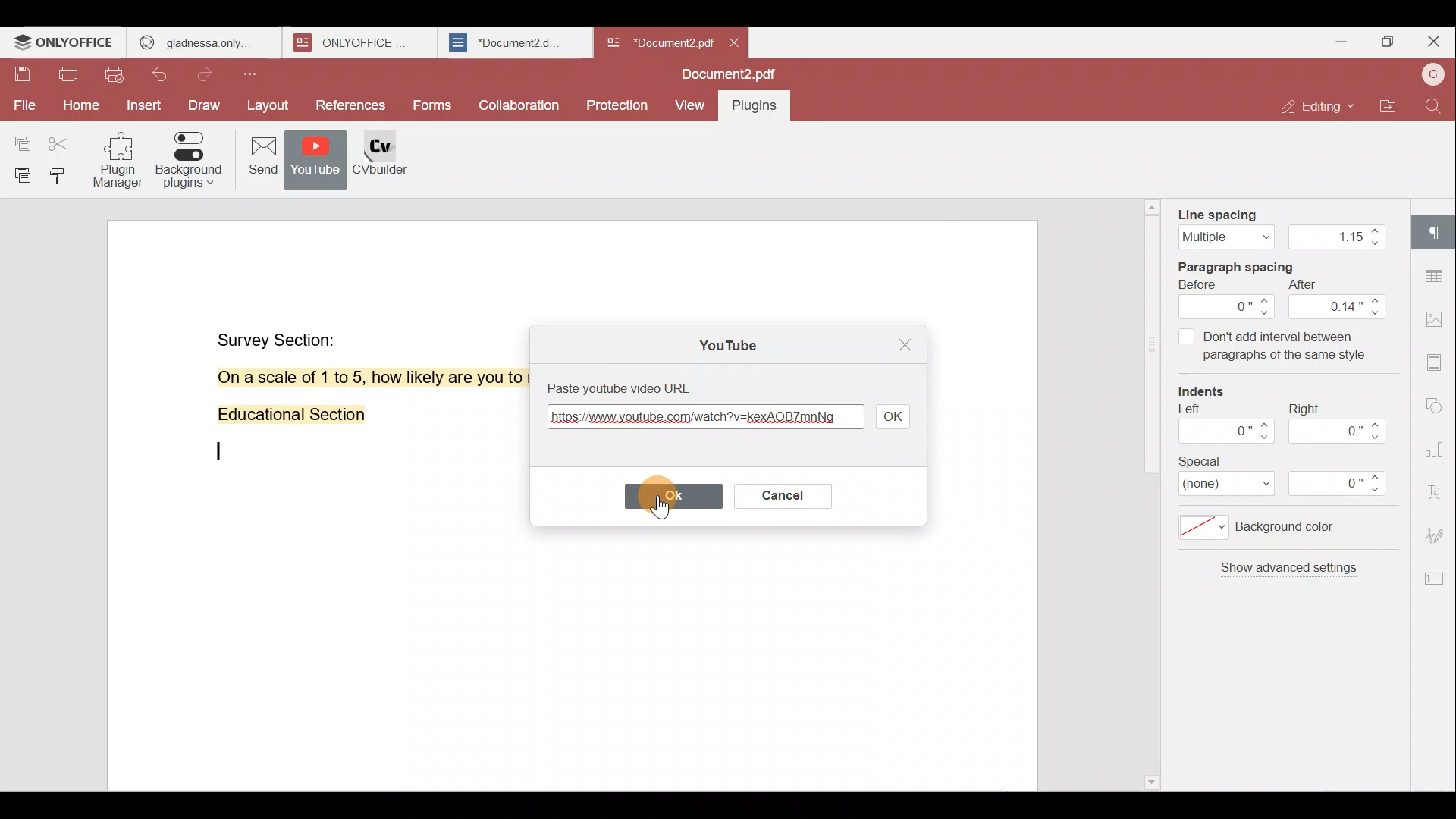  Describe the element at coordinates (902, 346) in the screenshot. I see `Close` at that location.